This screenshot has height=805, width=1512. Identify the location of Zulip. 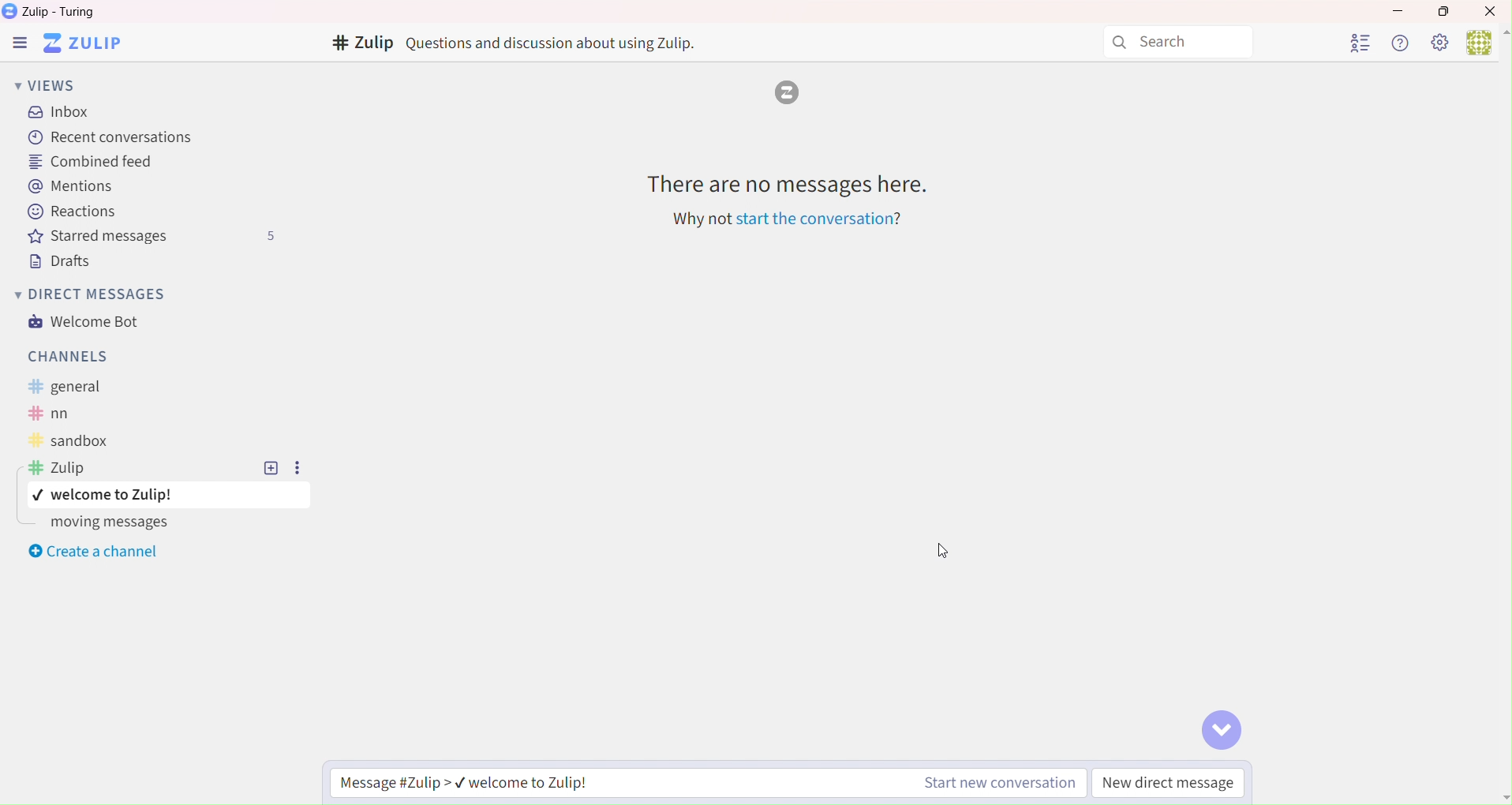
(16, 43).